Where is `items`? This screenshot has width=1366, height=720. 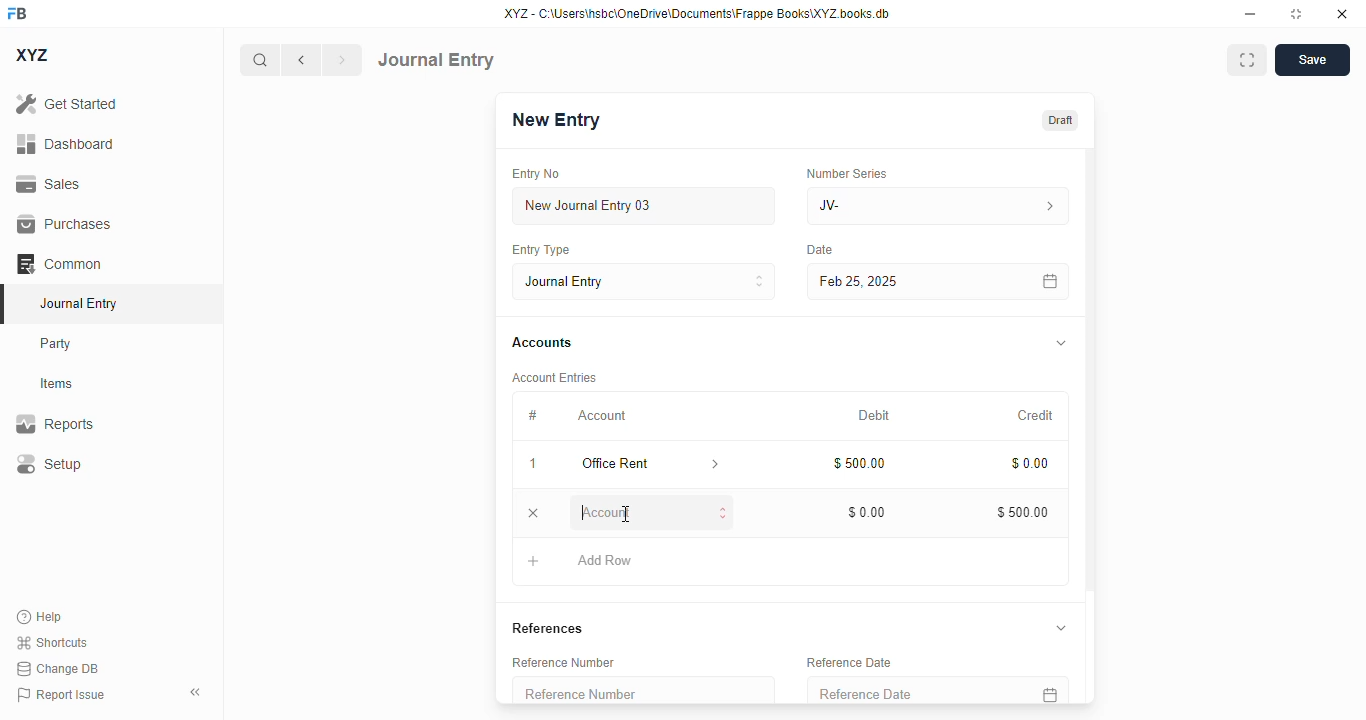
items is located at coordinates (57, 384).